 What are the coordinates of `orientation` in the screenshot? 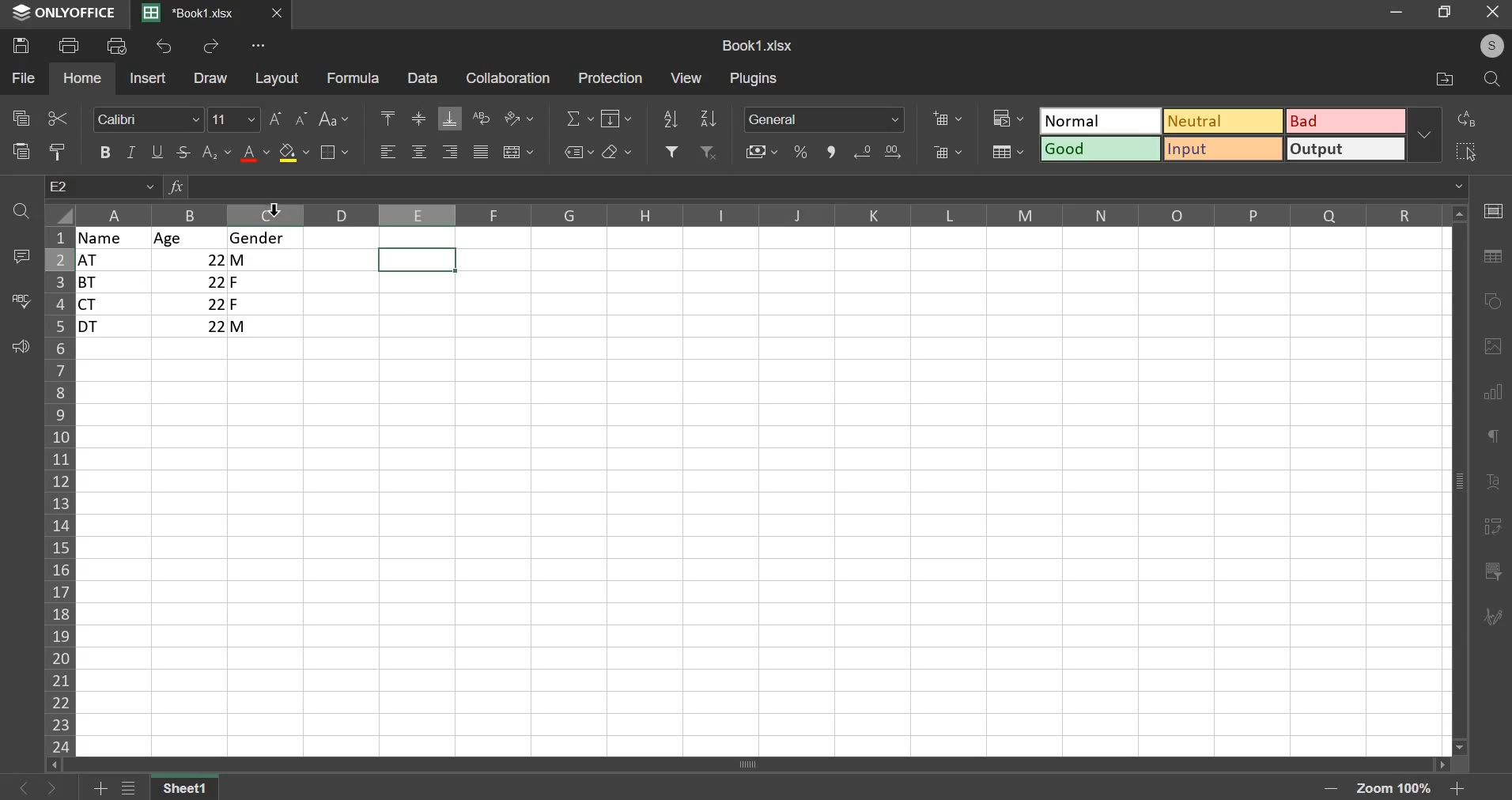 It's located at (519, 118).